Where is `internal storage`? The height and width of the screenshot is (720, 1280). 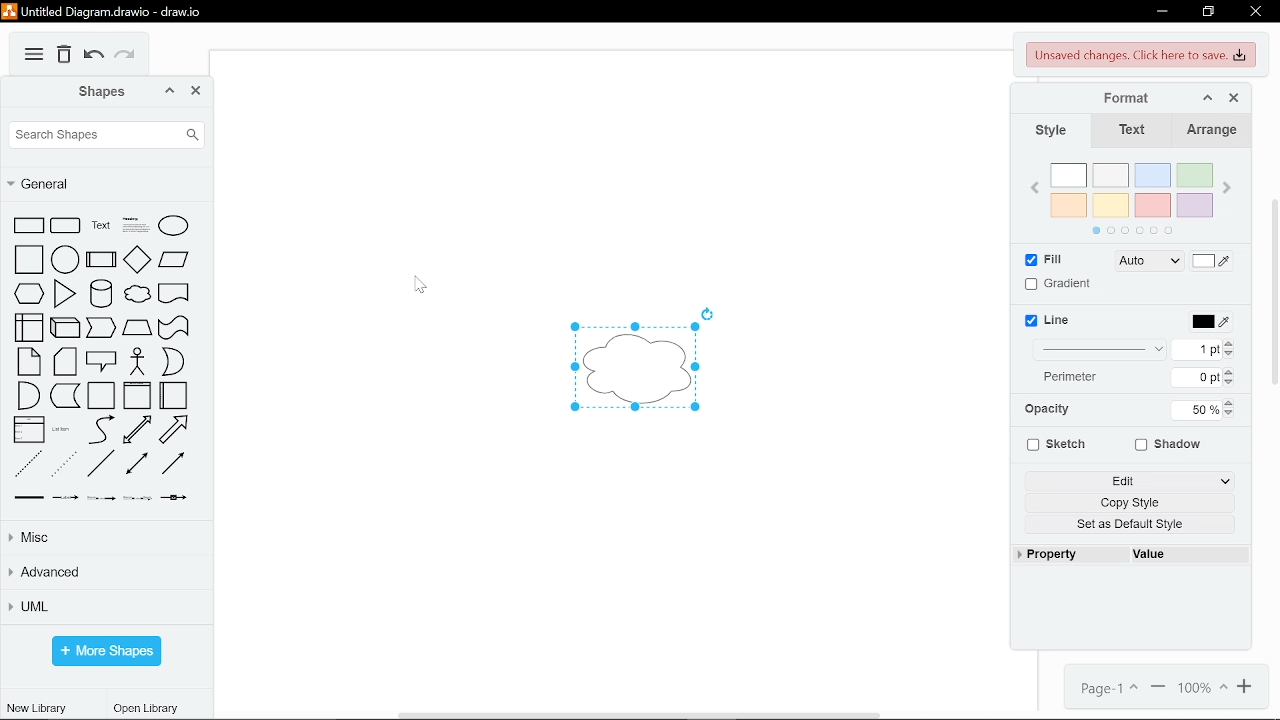 internal storage is located at coordinates (29, 328).